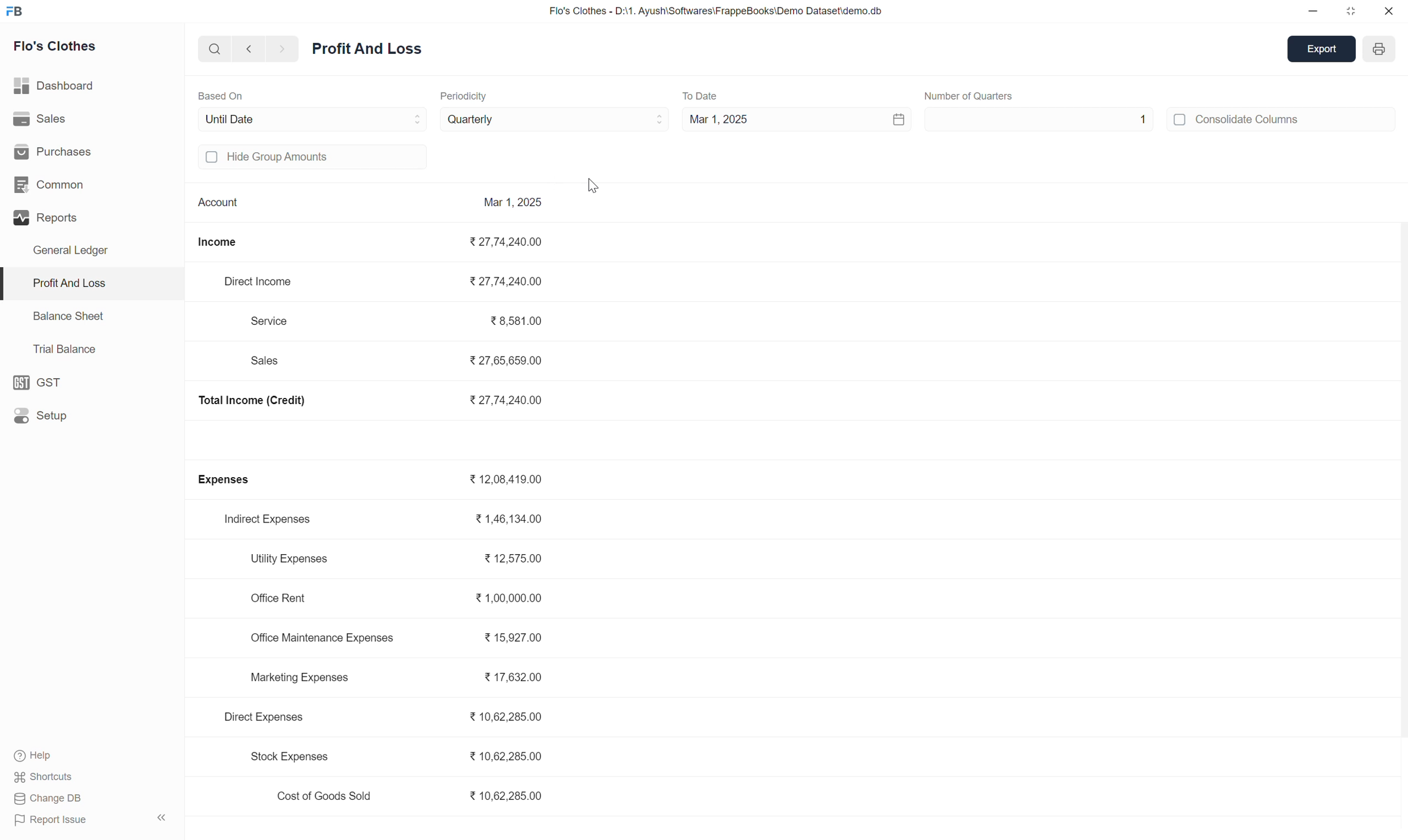 This screenshot has width=1408, height=840. Describe the element at coordinates (630, 119) in the screenshot. I see `Periodicity dropdown` at that location.